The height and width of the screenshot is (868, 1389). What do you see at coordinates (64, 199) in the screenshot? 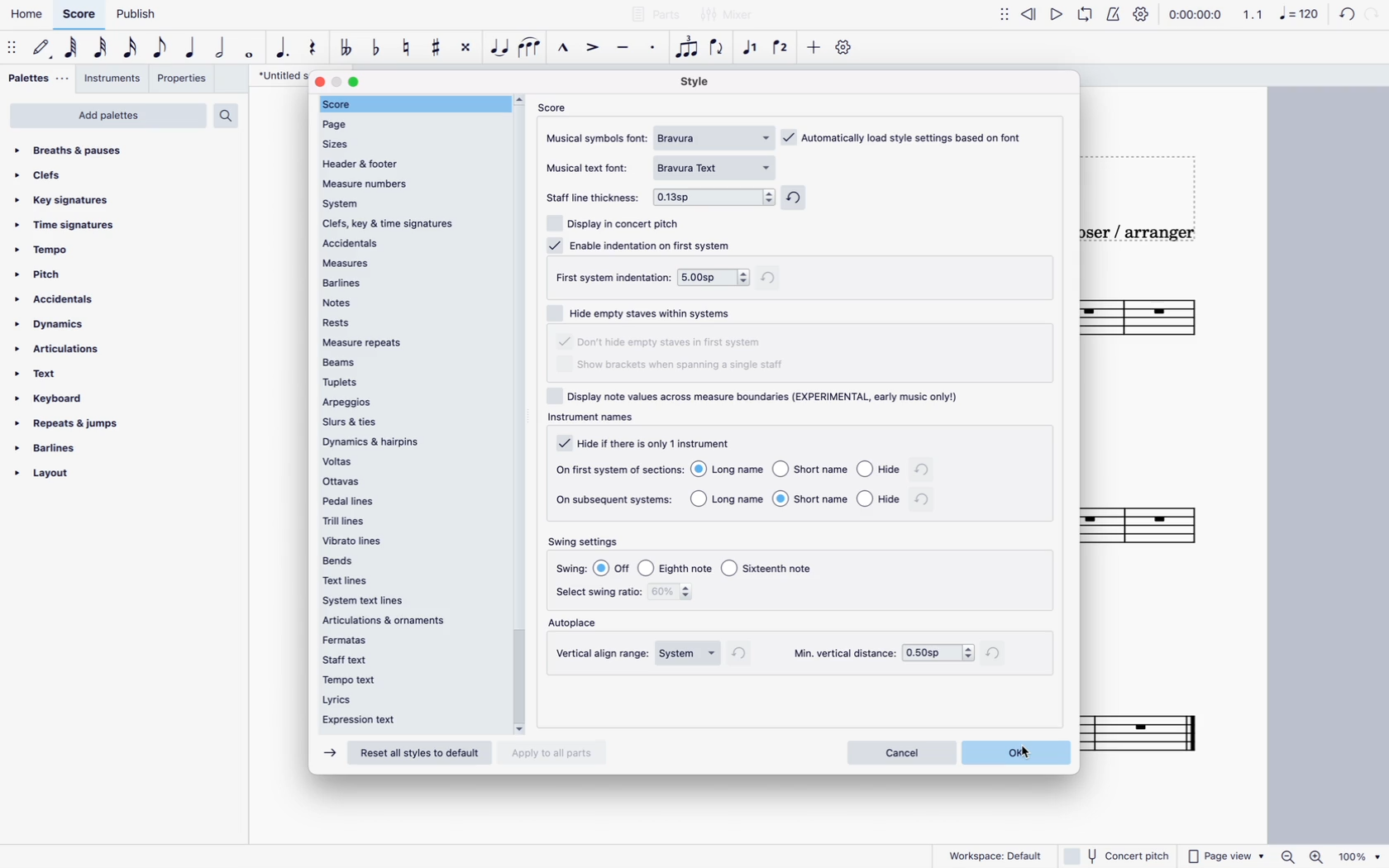
I see `key signatures` at bounding box center [64, 199].